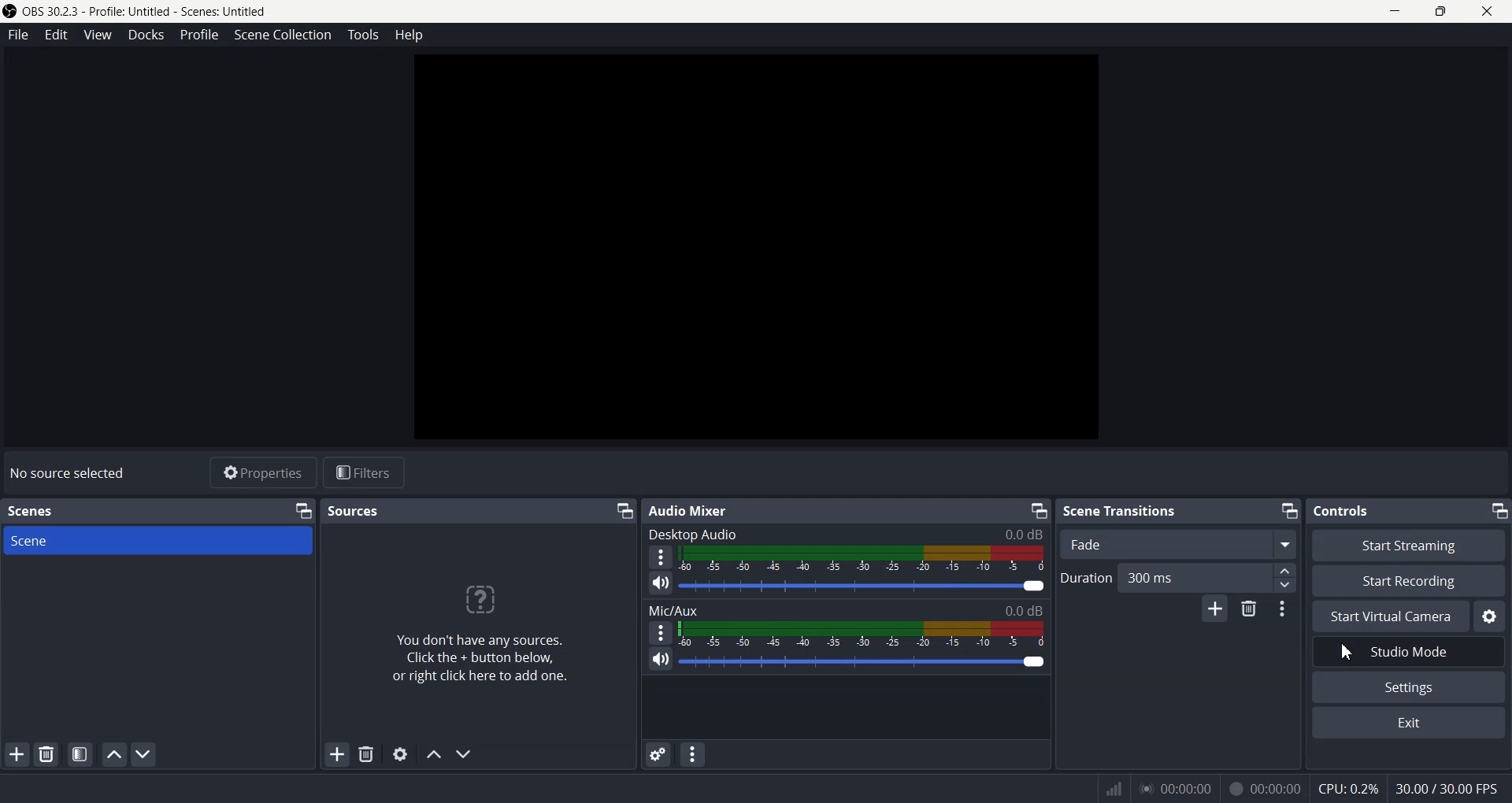  What do you see at coordinates (1376, 510) in the screenshot?
I see `Controls` at bounding box center [1376, 510].